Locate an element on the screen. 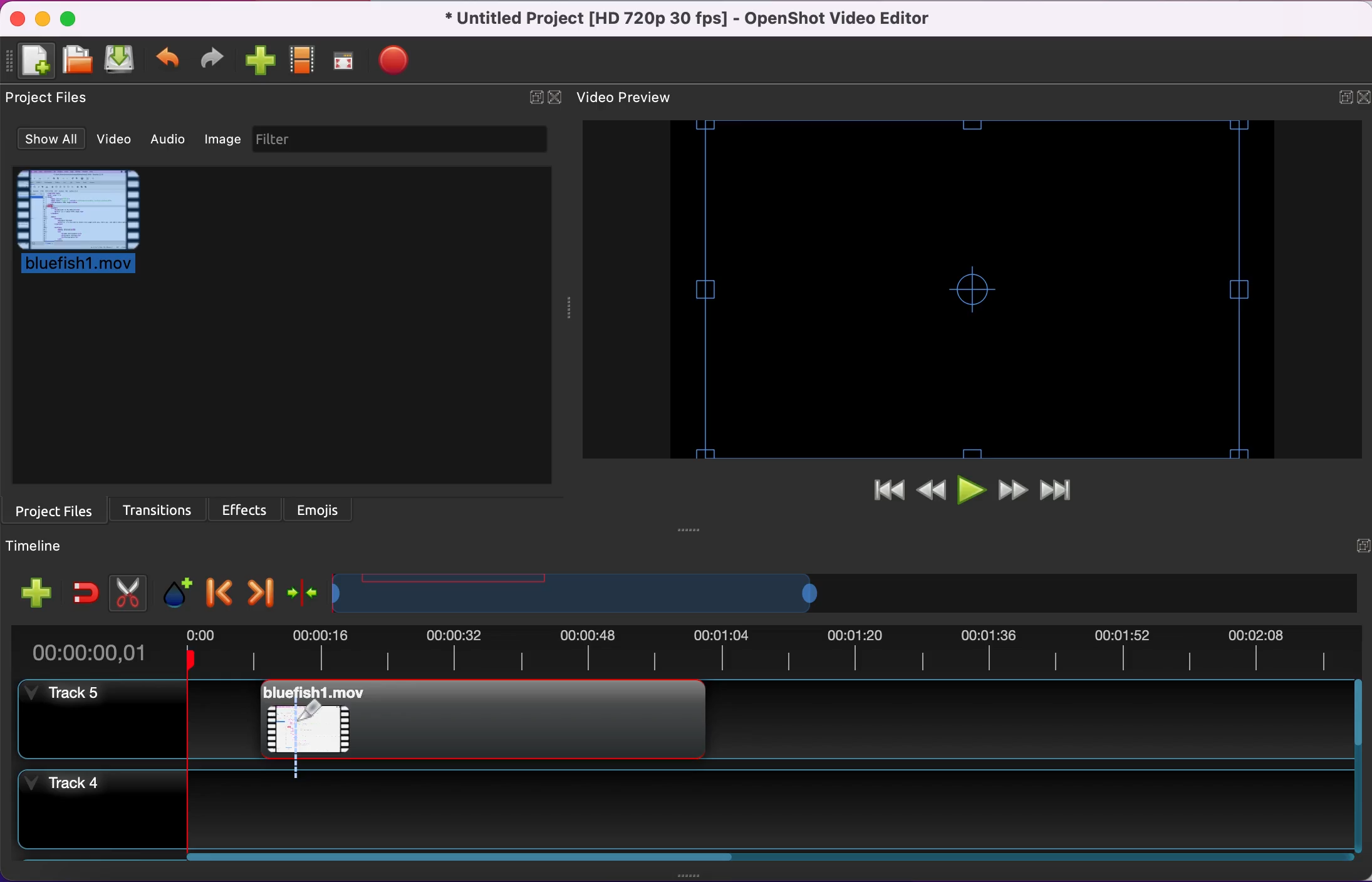  expor video is located at coordinates (396, 58).